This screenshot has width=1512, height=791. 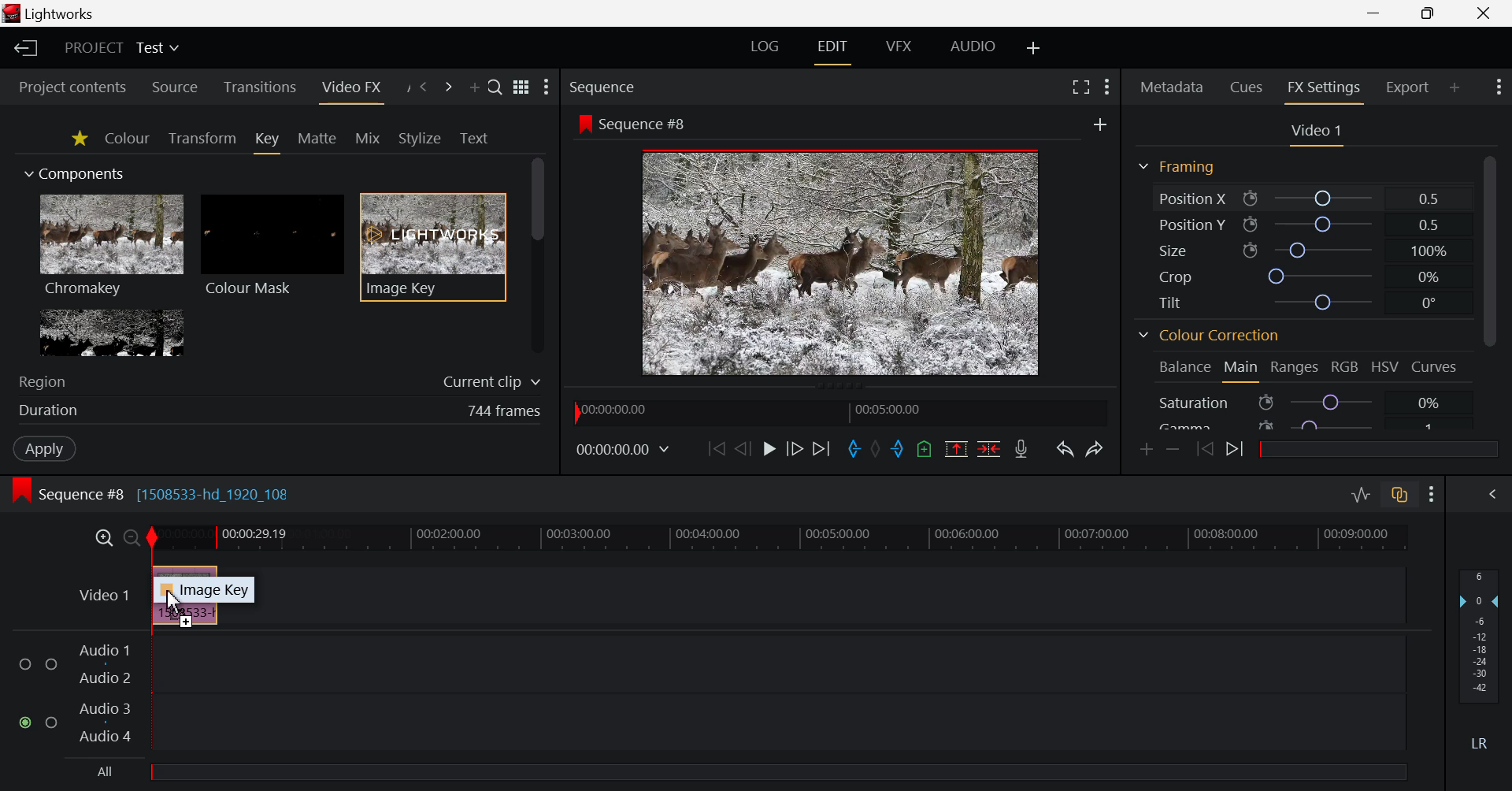 I want to click on 00:00:00:00, so click(x=616, y=410).